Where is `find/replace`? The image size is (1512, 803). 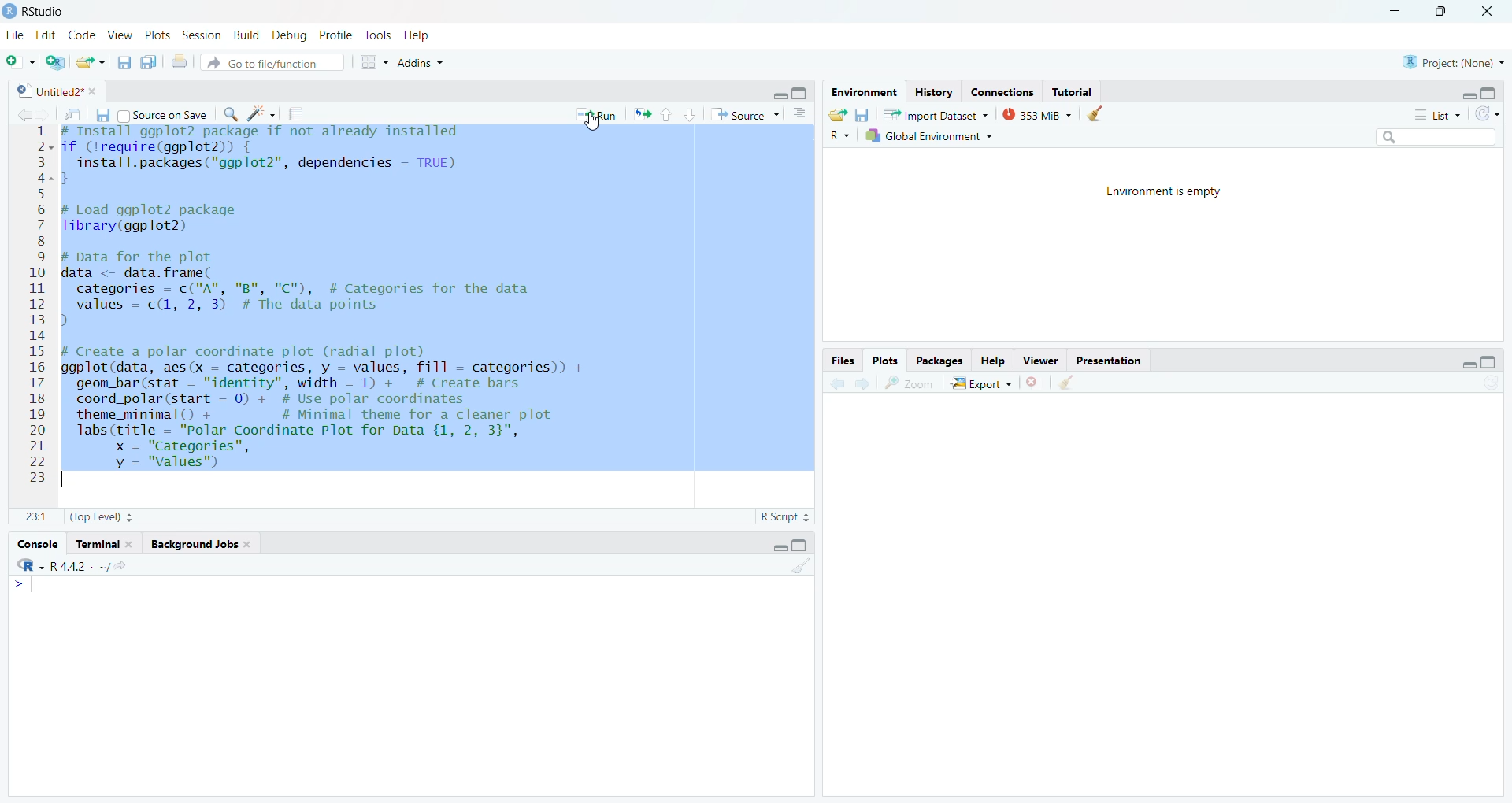
find/replace is located at coordinates (230, 113).